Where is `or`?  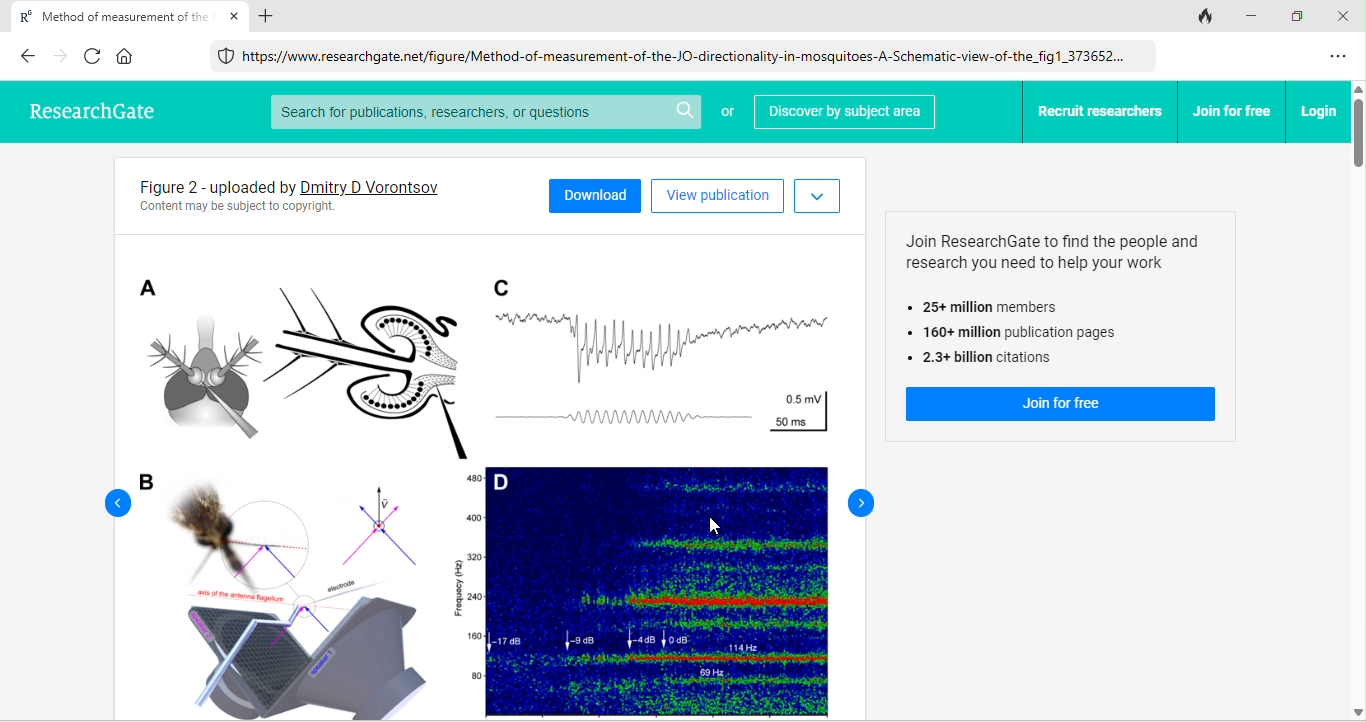
or is located at coordinates (726, 114).